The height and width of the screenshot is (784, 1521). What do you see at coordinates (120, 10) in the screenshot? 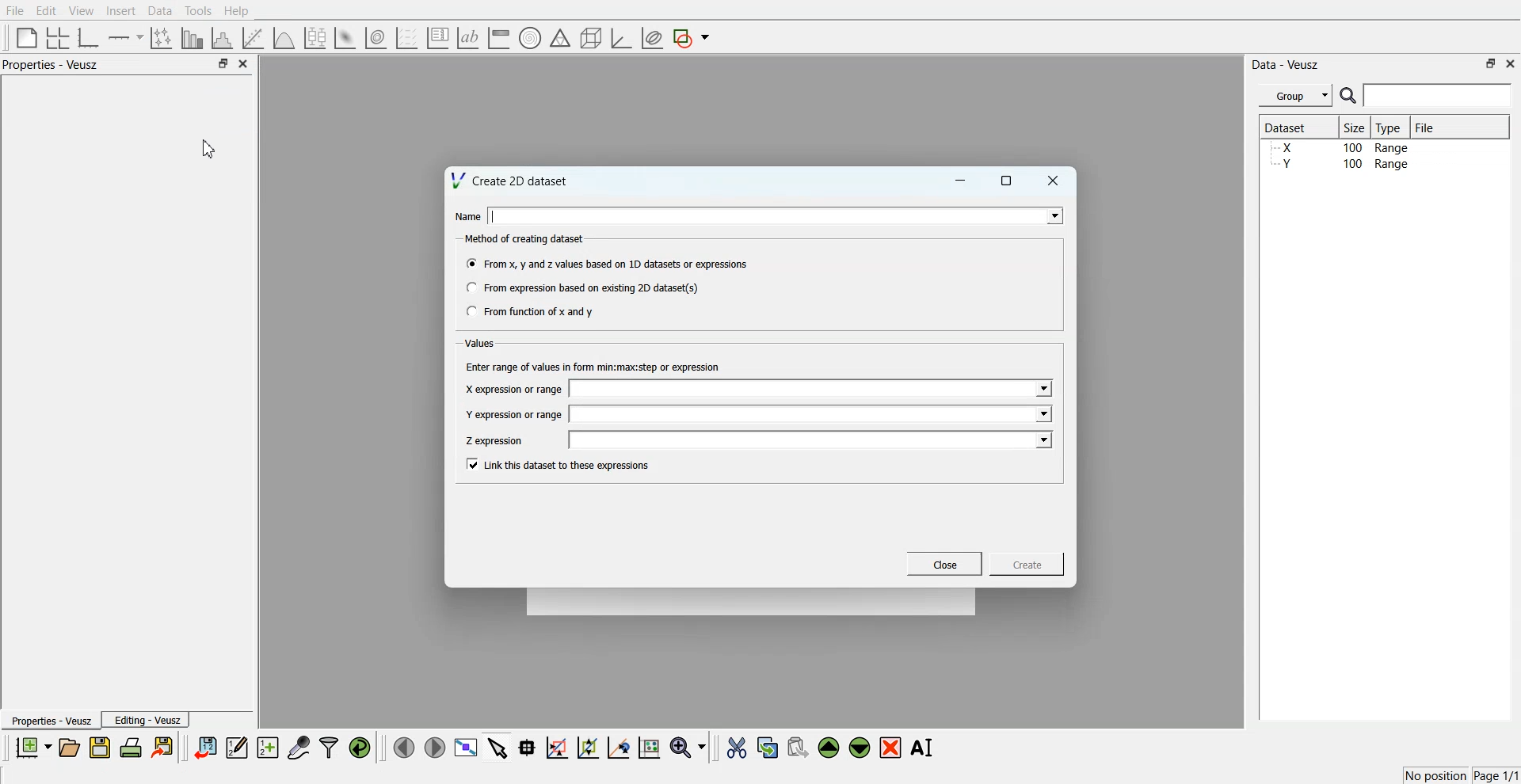
I see `Insert` at bounding box center [120, 10].